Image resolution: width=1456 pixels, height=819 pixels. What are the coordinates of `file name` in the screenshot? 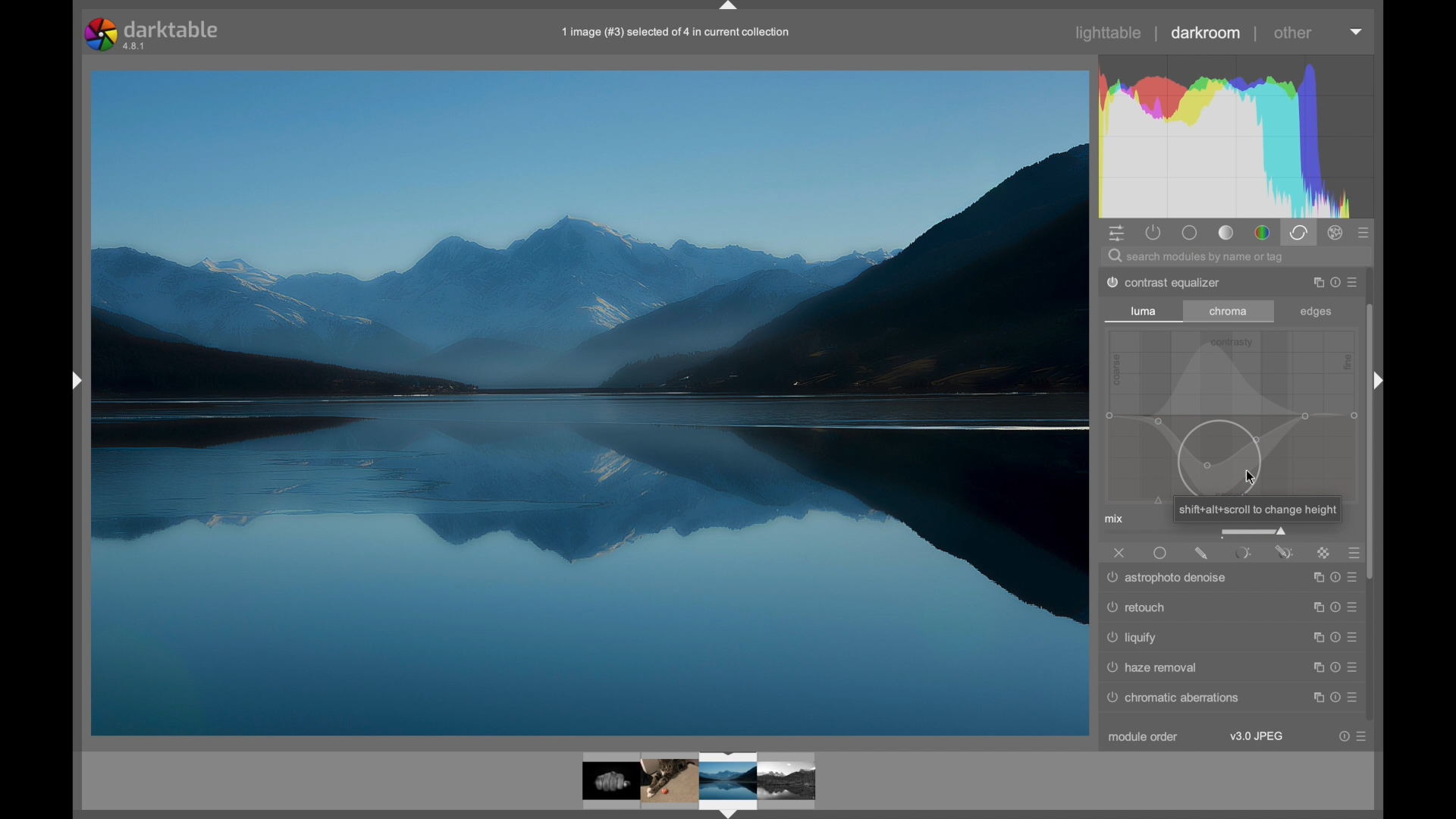 It's located at (673, 33).